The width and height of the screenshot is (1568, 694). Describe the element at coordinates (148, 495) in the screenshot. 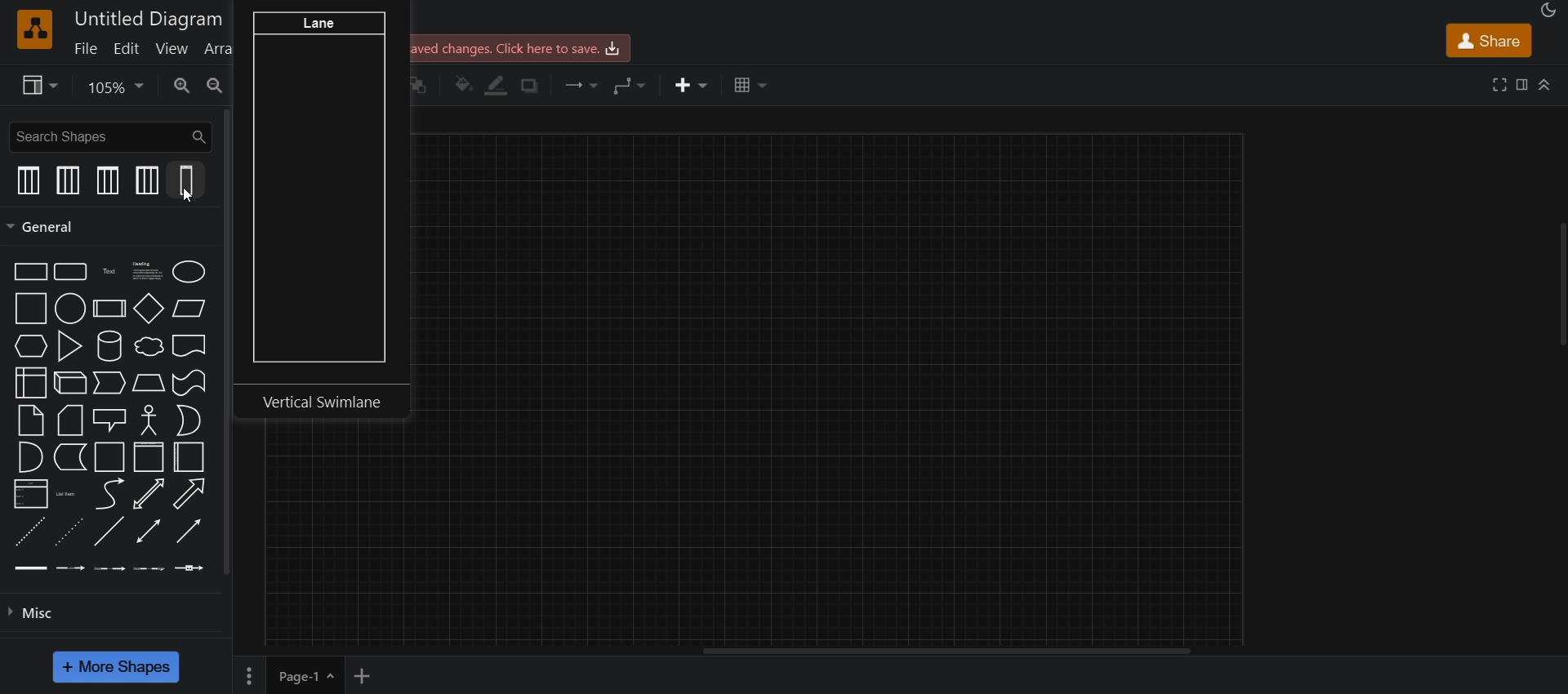

I see `bidirectional arrow` at that location.